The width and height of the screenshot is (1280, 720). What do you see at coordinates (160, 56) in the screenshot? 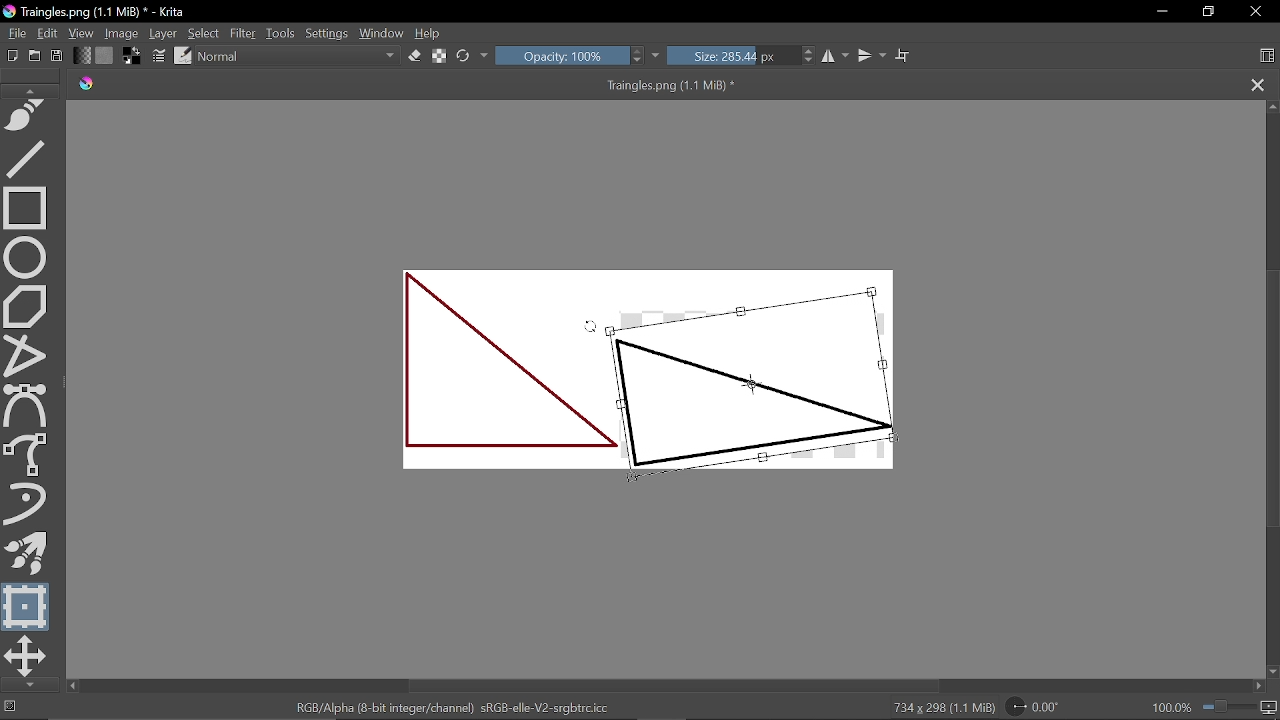
I see `Edit brush settings` at bounding box center [160, 56].